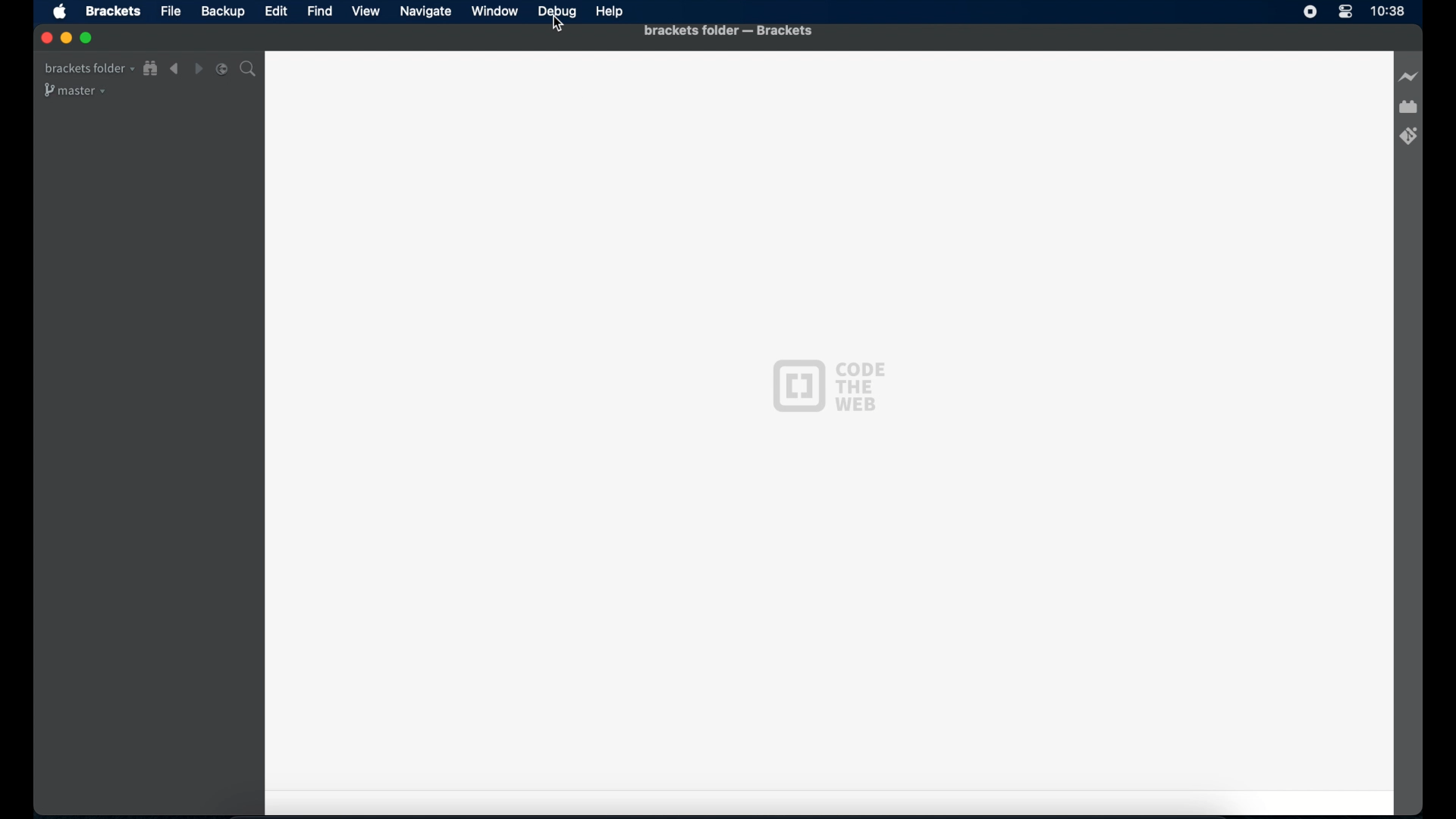  Describe the element at coordinates (61, 12) in the screenshot. I see `apple icon` at that location.